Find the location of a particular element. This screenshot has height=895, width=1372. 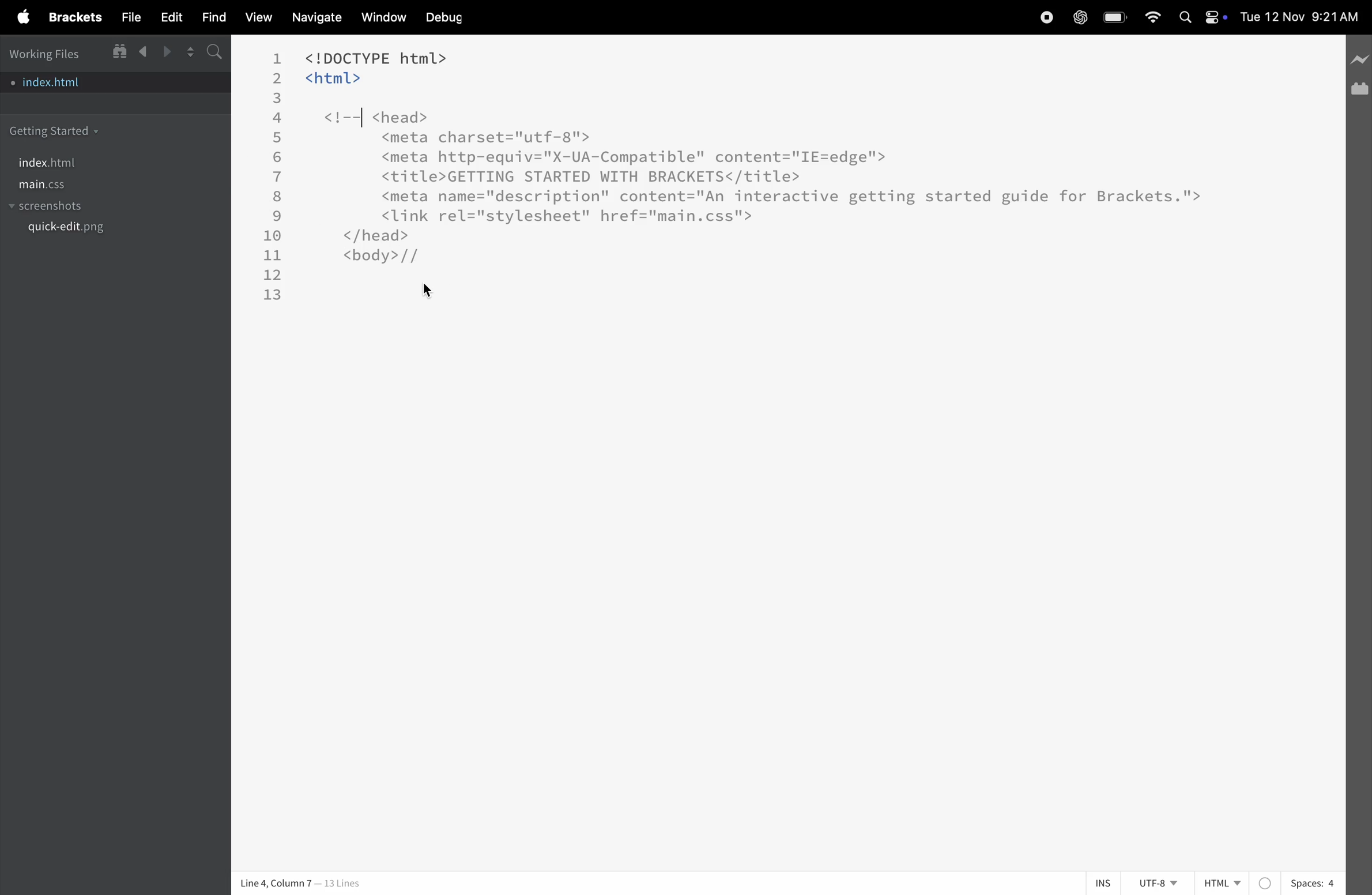

quickedit.png is located at coordinates (87, 231).